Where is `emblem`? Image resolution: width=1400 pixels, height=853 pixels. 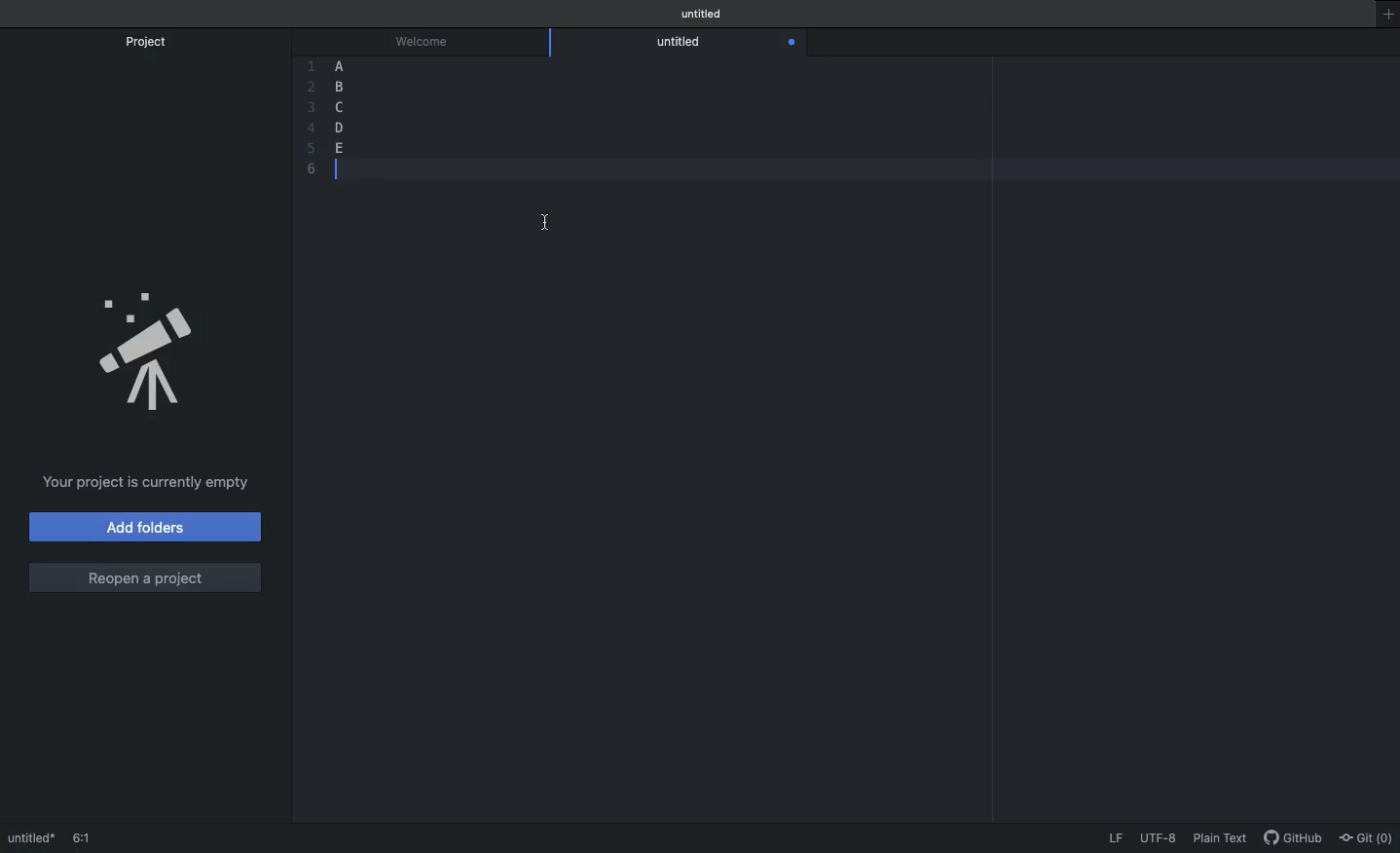 emblem is located at coordinates (155, 355).